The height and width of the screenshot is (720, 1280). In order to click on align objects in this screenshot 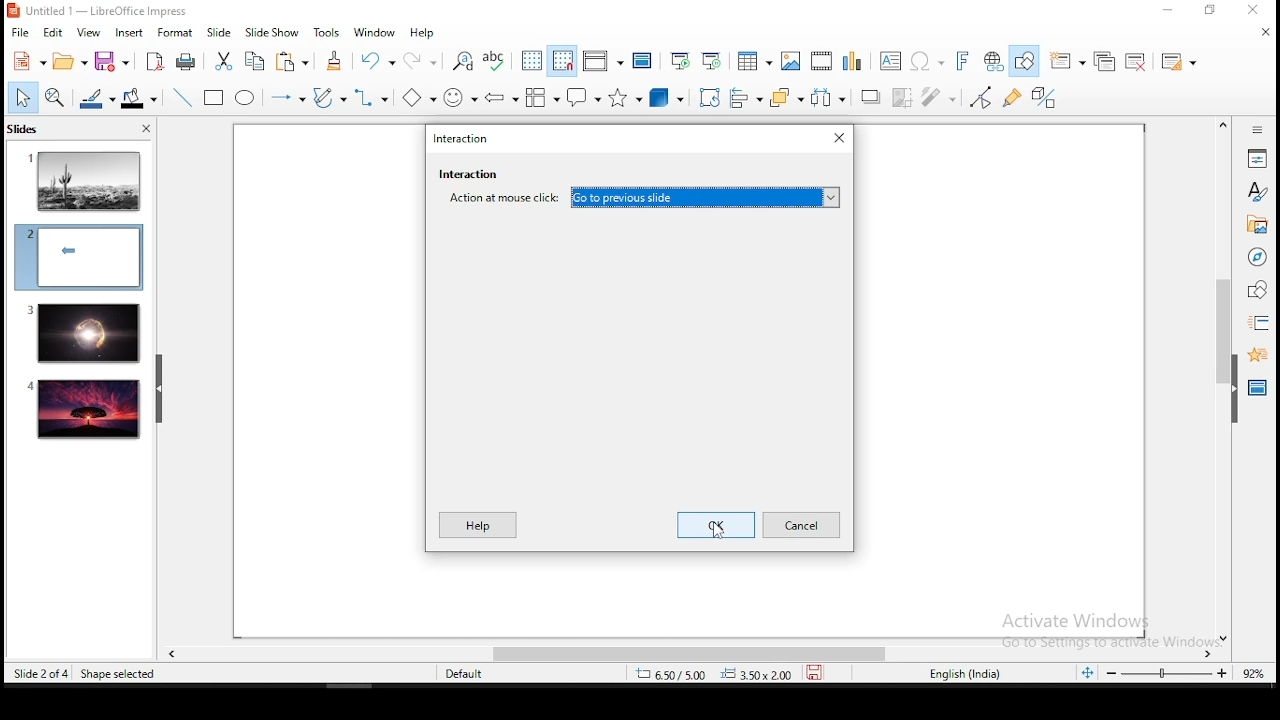, I will do `click(751, 99)`.